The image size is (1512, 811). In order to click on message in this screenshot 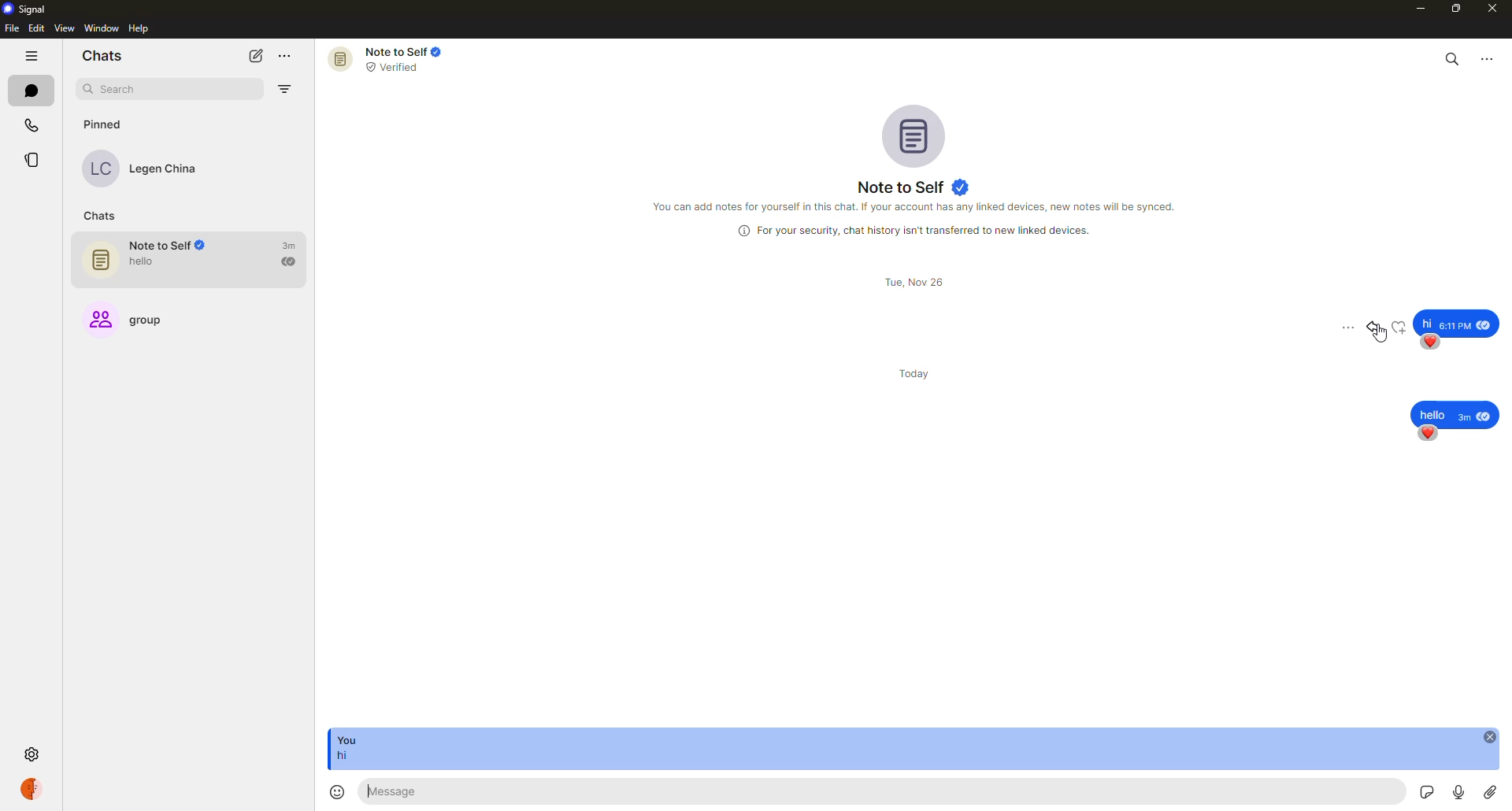, I will do `click(1457, 414)`.